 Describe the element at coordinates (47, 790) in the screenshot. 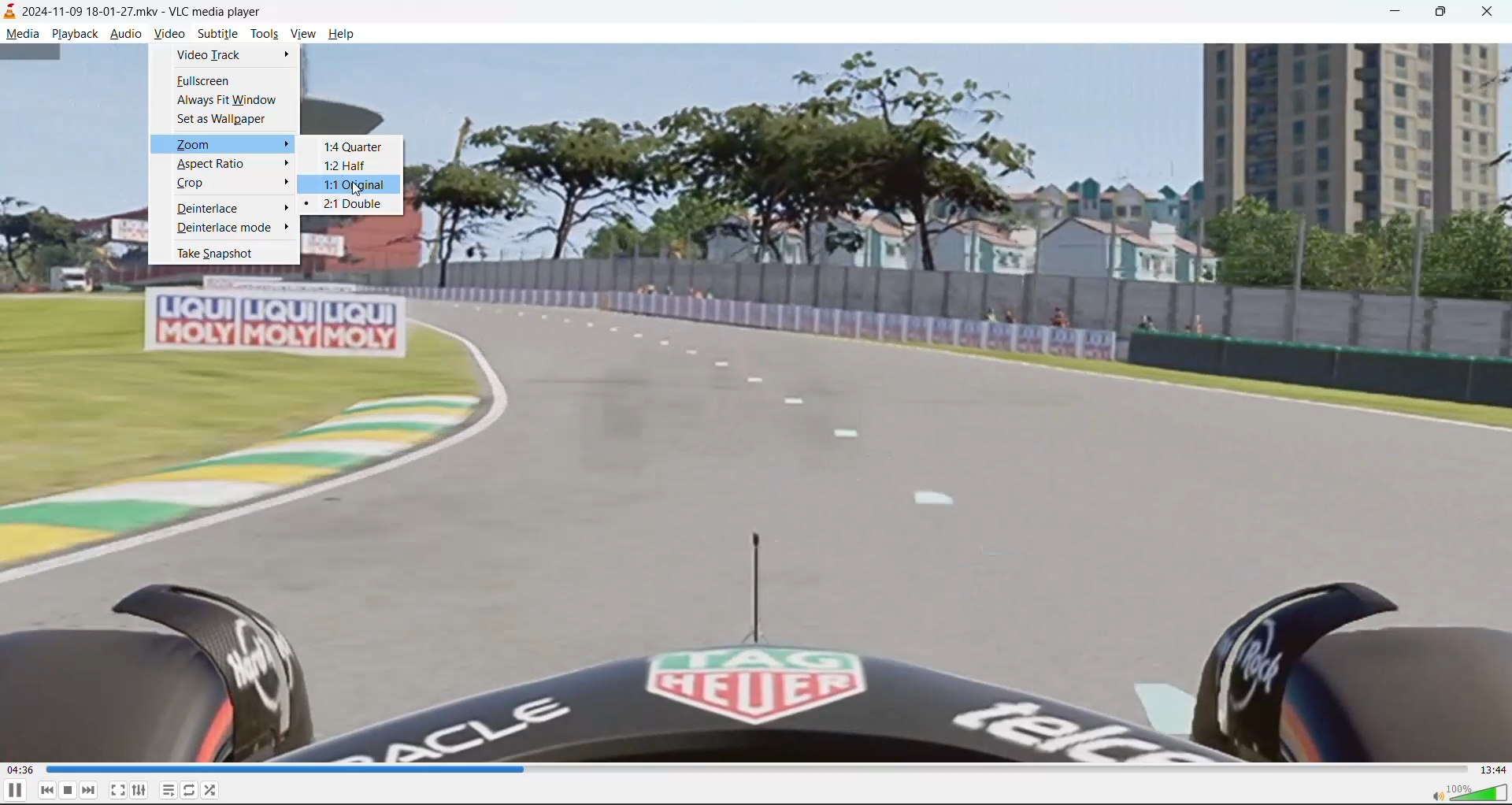

I see `previous` at that location.